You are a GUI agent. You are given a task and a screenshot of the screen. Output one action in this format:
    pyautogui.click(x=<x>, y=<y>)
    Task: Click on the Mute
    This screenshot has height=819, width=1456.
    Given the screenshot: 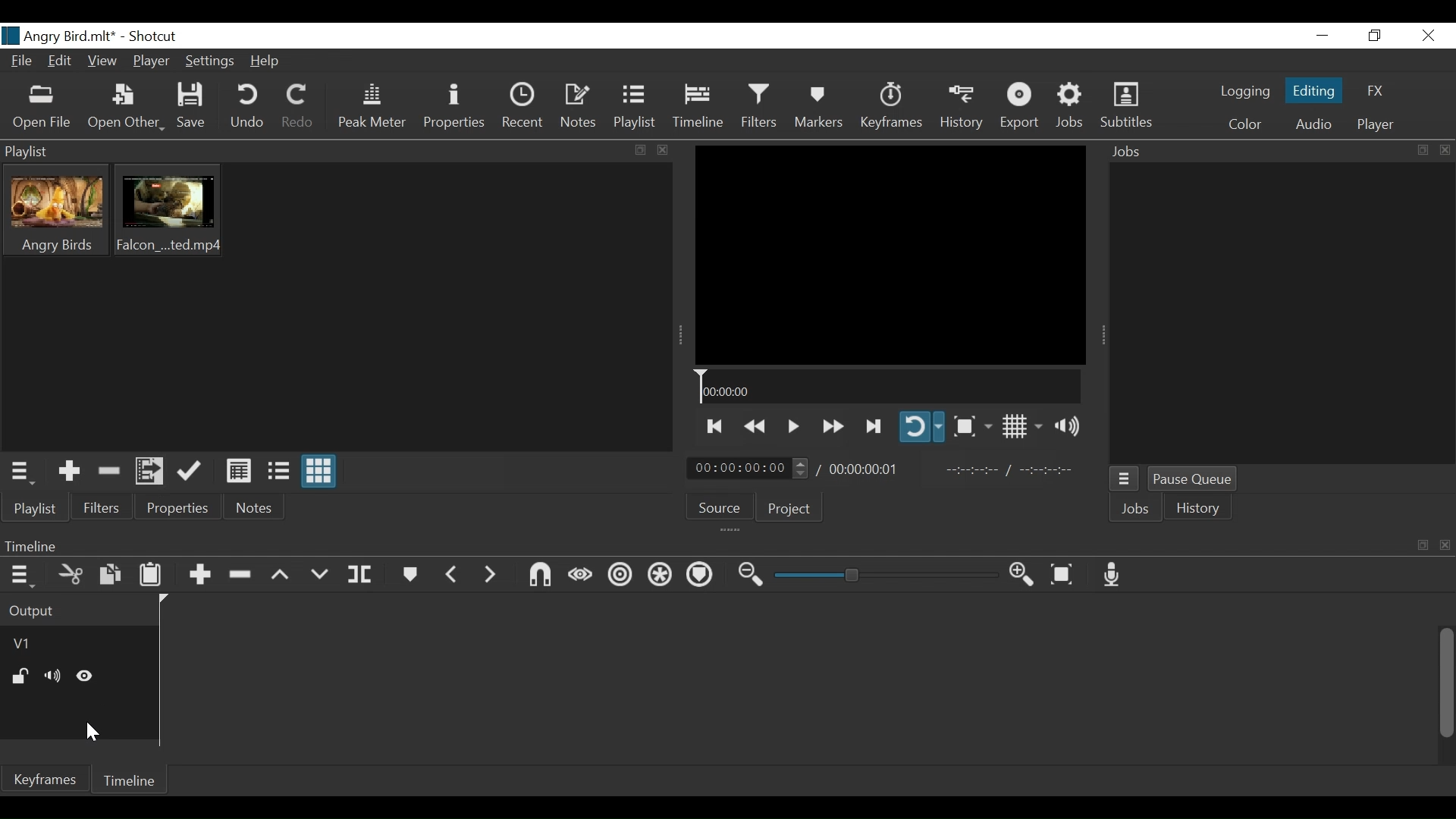 What is the action you would take?
    pyautogui.click(x=52, y=676)
    